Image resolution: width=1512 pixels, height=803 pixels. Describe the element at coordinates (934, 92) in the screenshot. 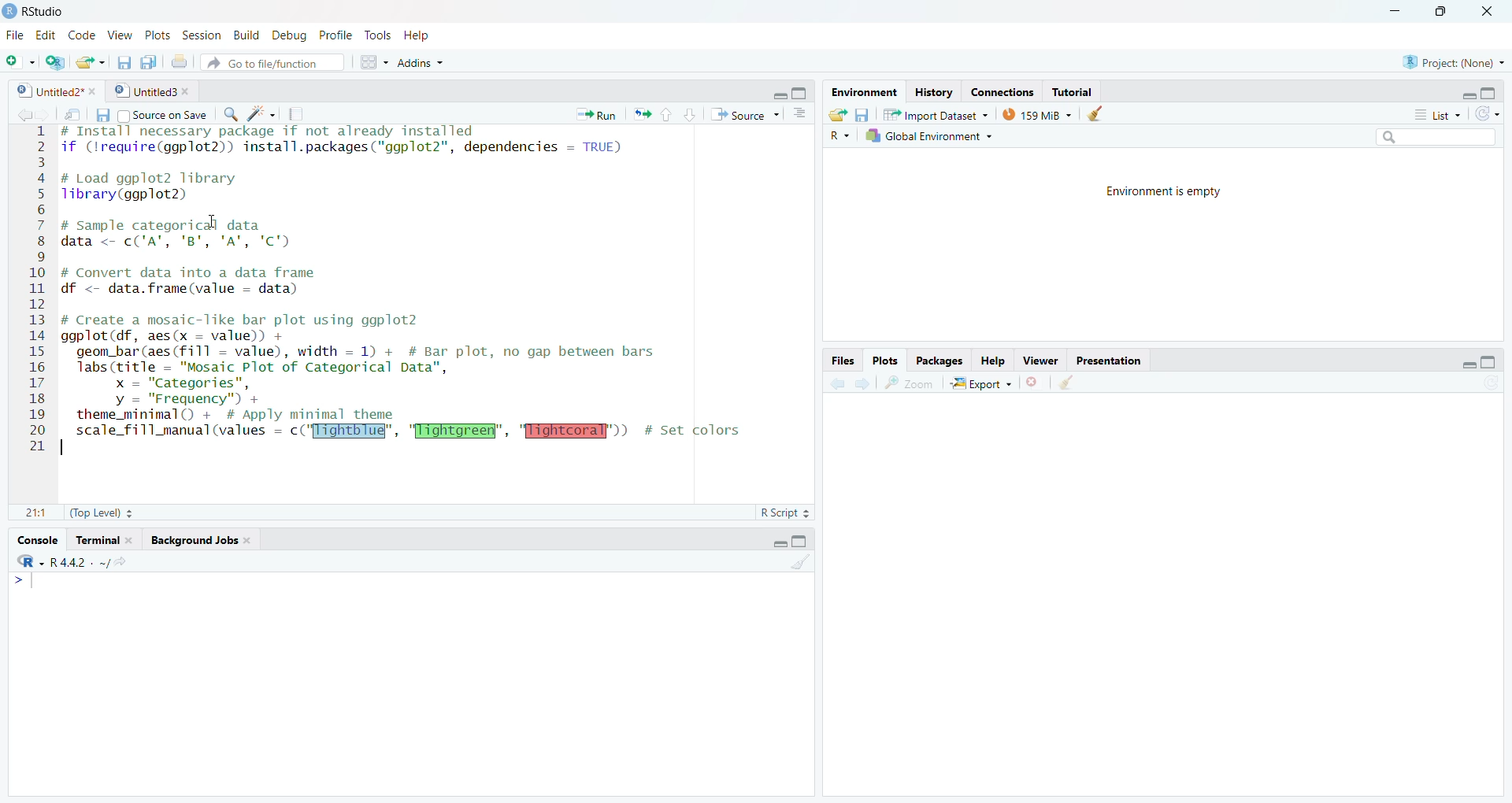

I see `History` at that location.